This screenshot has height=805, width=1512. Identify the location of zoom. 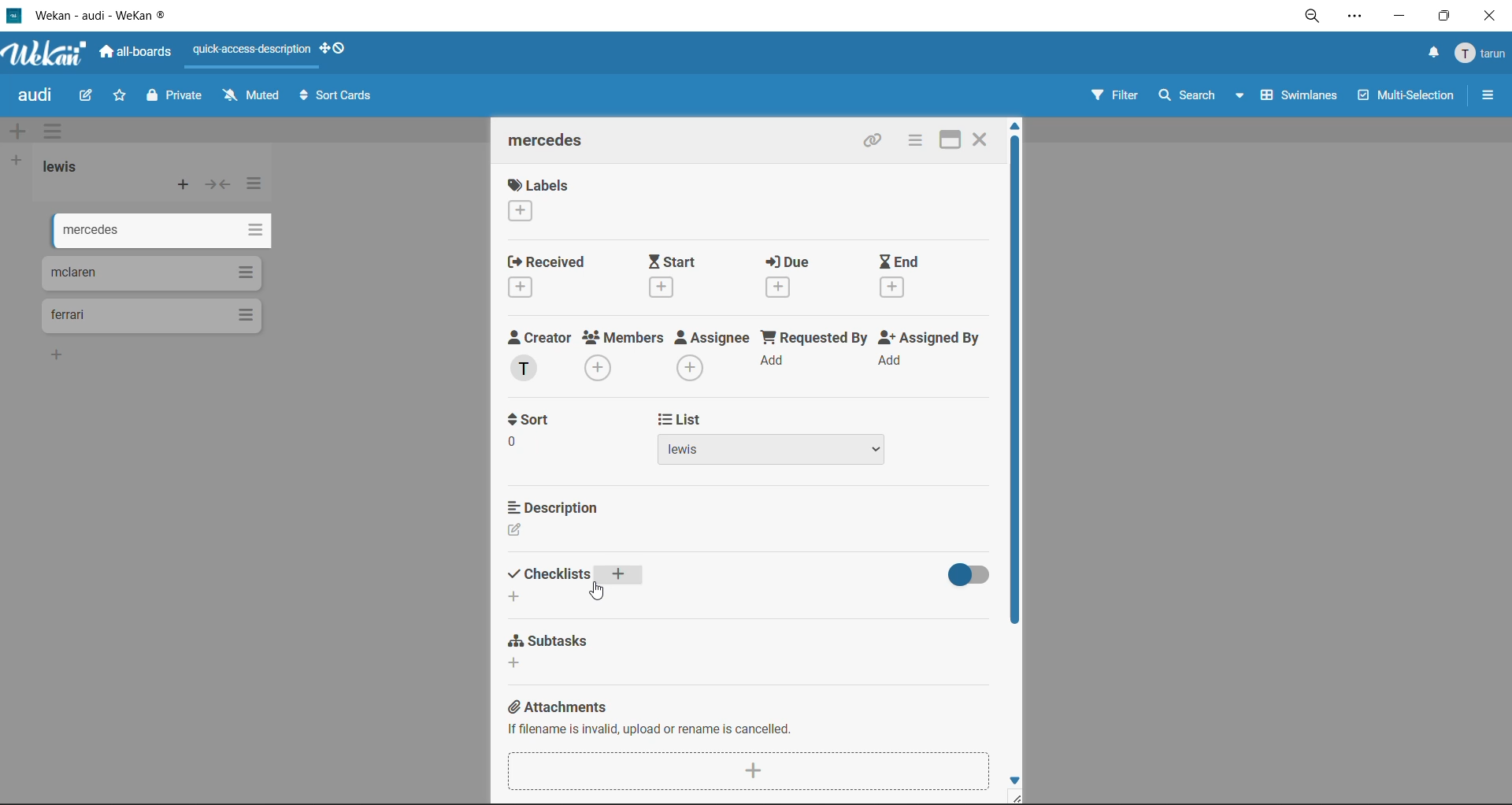
(1316, 20).